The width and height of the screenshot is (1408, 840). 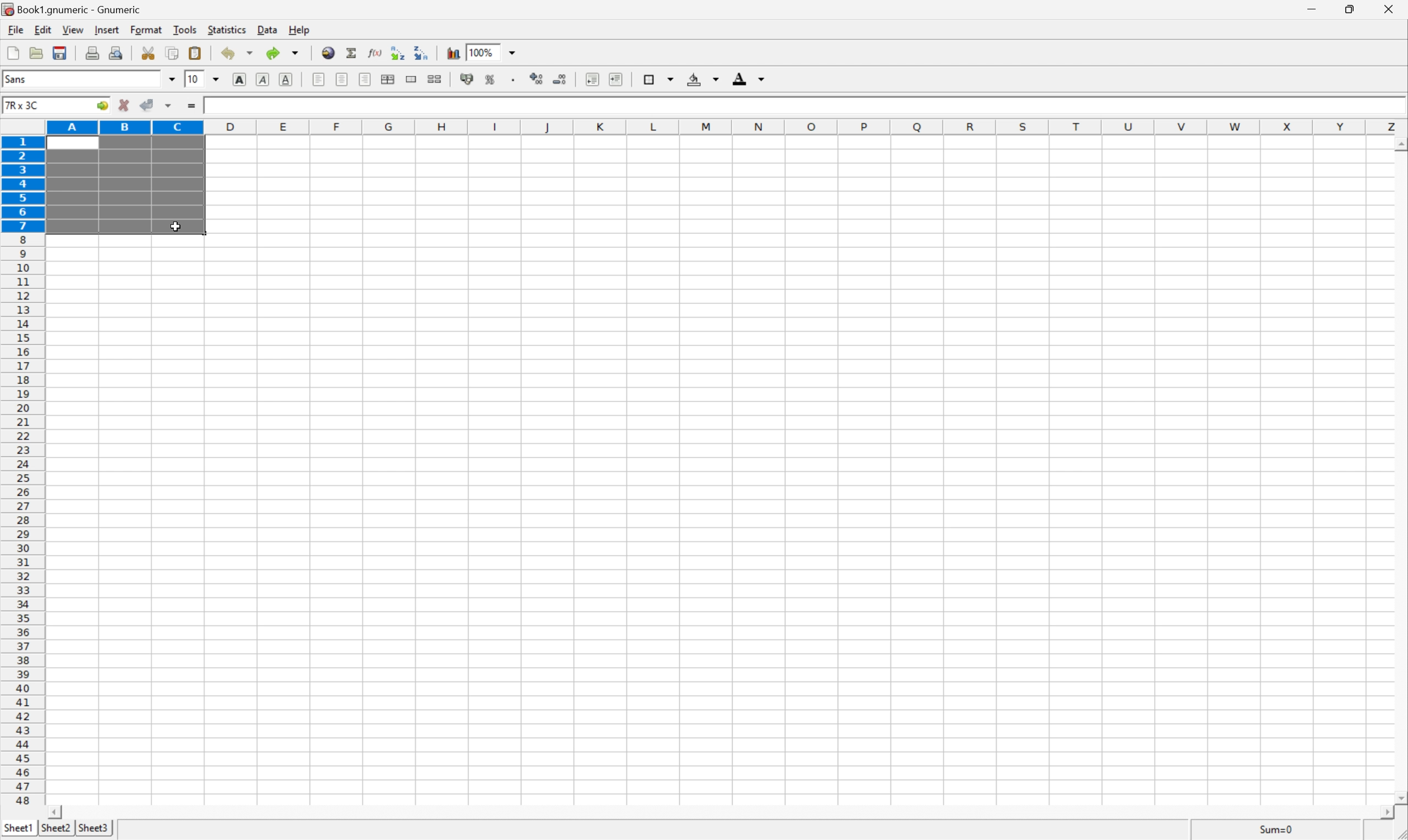 What do you see at coordinates (227, 31) in the screenshot?
I see `statistics` at bounding box center [227, 31].